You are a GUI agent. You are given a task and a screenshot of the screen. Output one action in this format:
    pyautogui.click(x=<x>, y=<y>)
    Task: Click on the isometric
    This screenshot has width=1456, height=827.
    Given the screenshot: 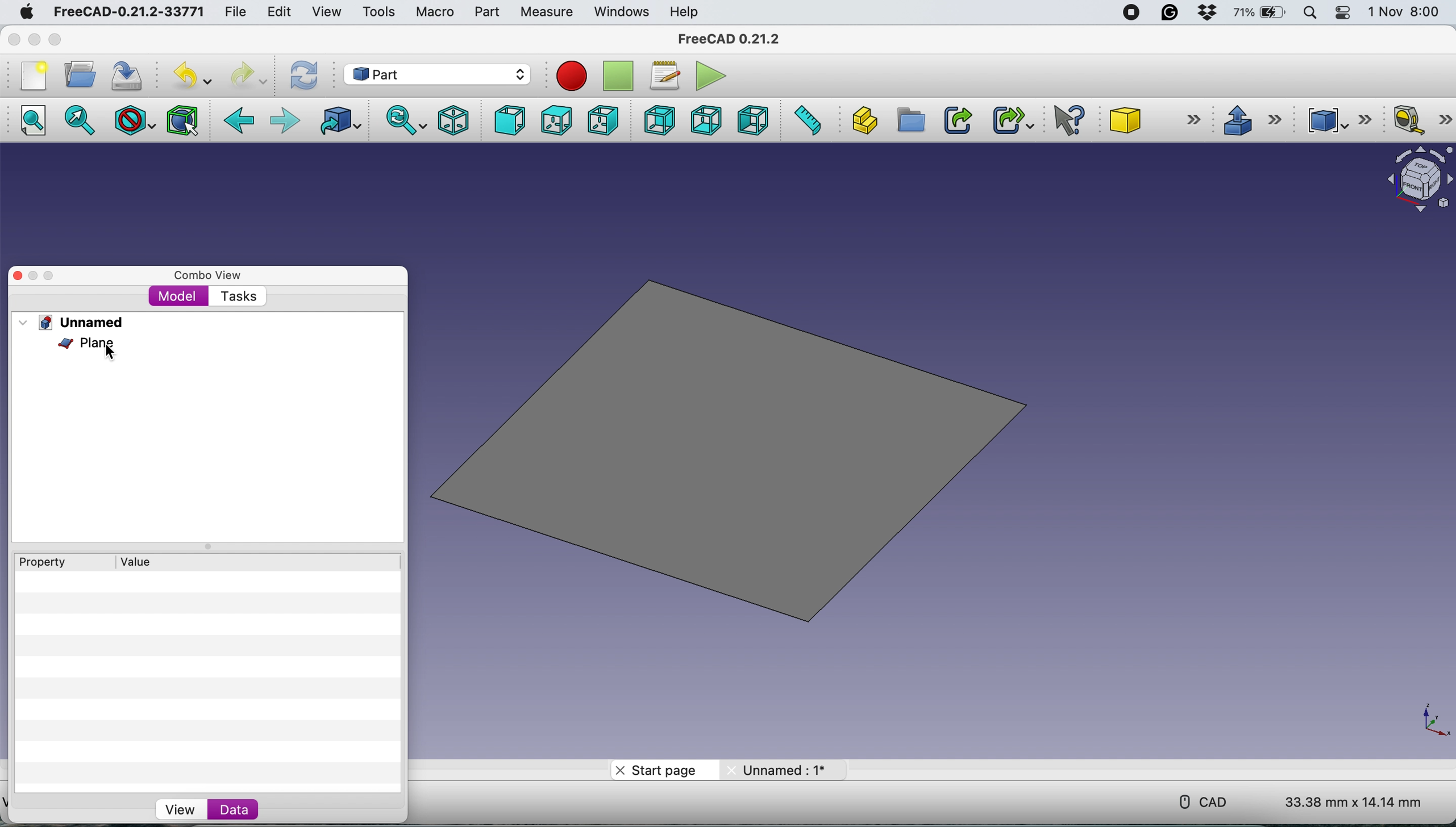 What is the action you would take?
    pyautogui.click(x=452, y=122)
    